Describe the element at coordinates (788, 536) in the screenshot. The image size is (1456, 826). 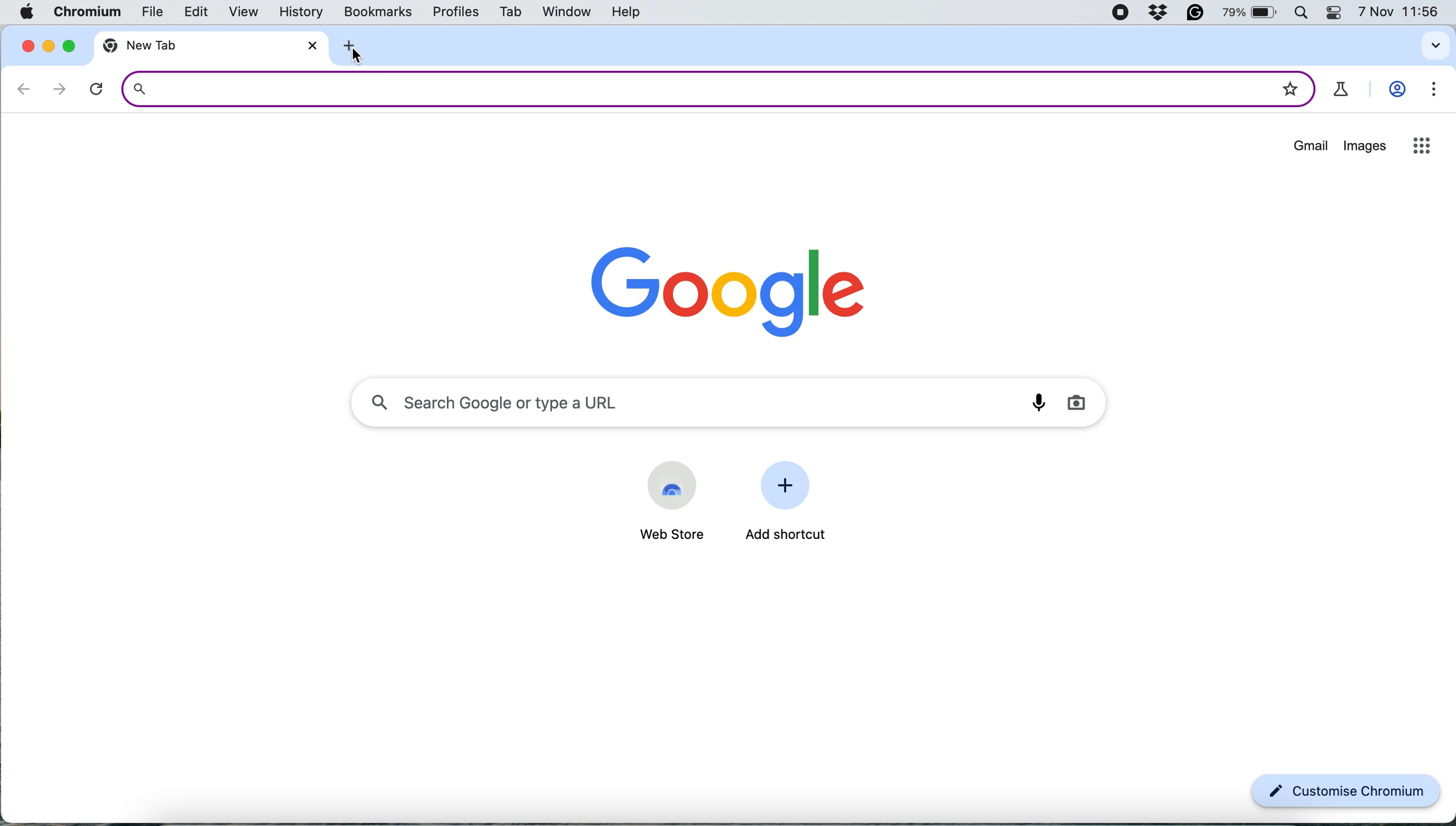
I see `add shortcut` at that location.